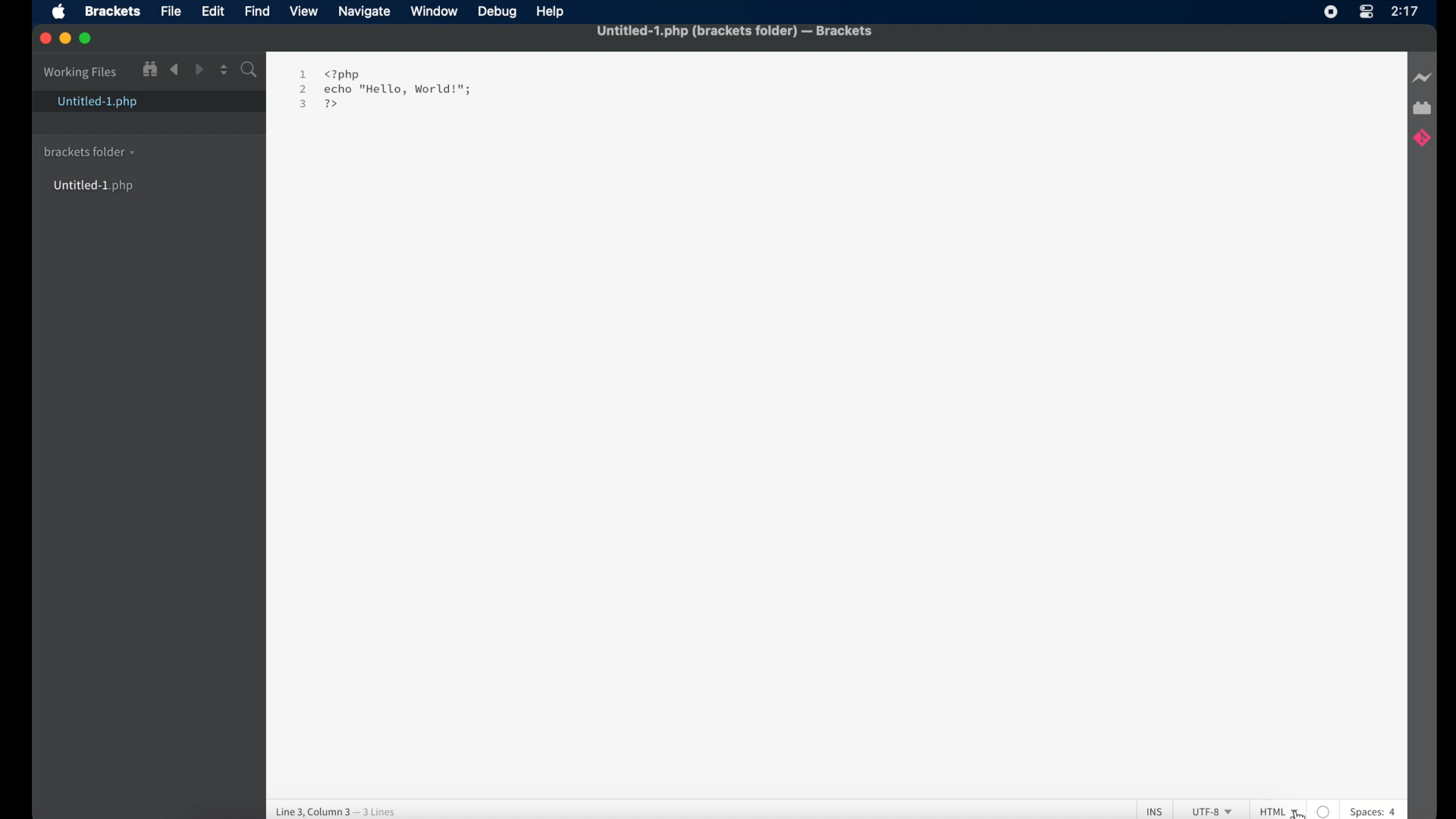 The image size is (1456, 819). What do you see at coordinates (249, 71) in the screenshot?
I see `search bar` at bounding box center [249, 71].